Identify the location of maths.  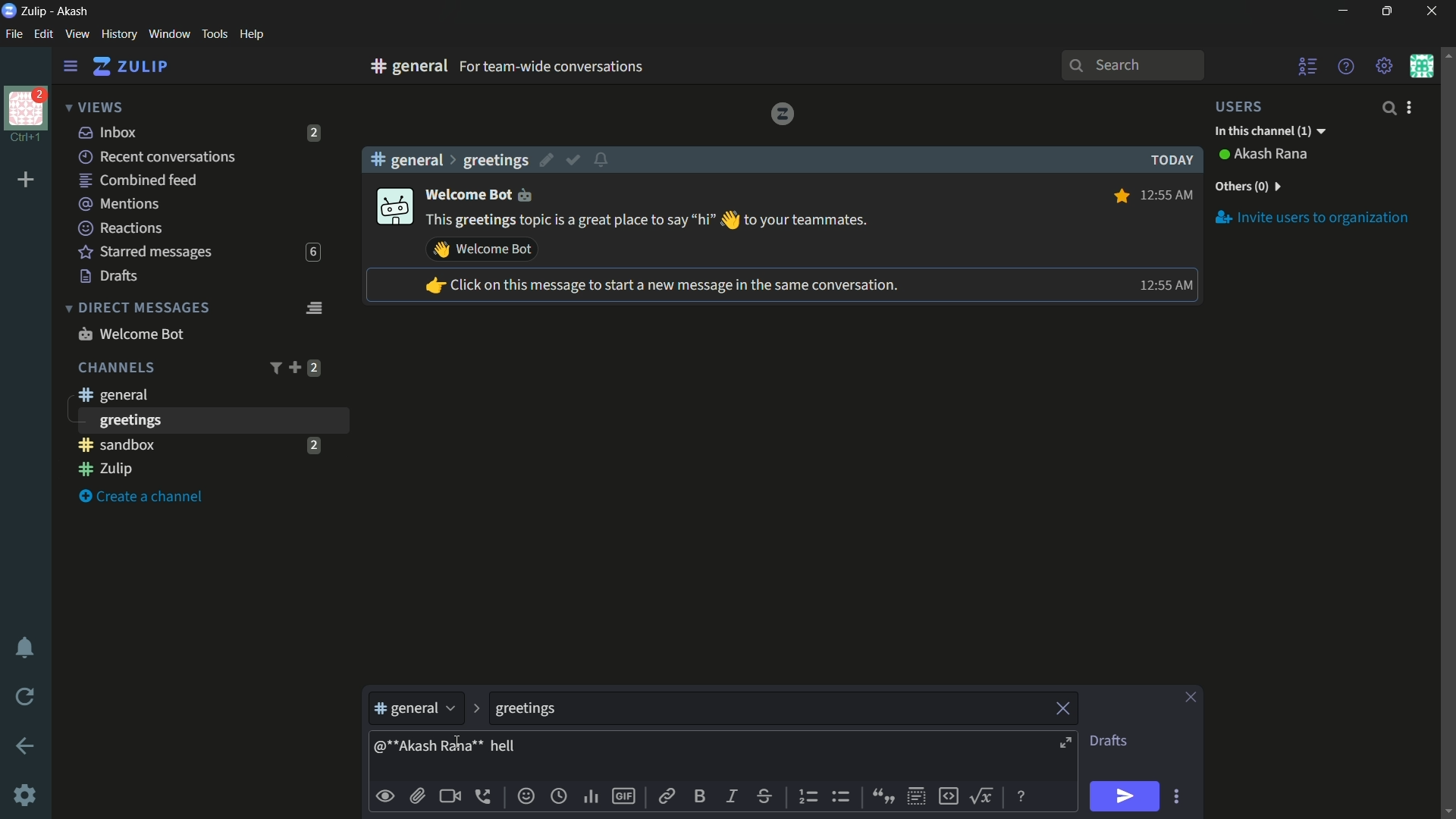
(984, 795).